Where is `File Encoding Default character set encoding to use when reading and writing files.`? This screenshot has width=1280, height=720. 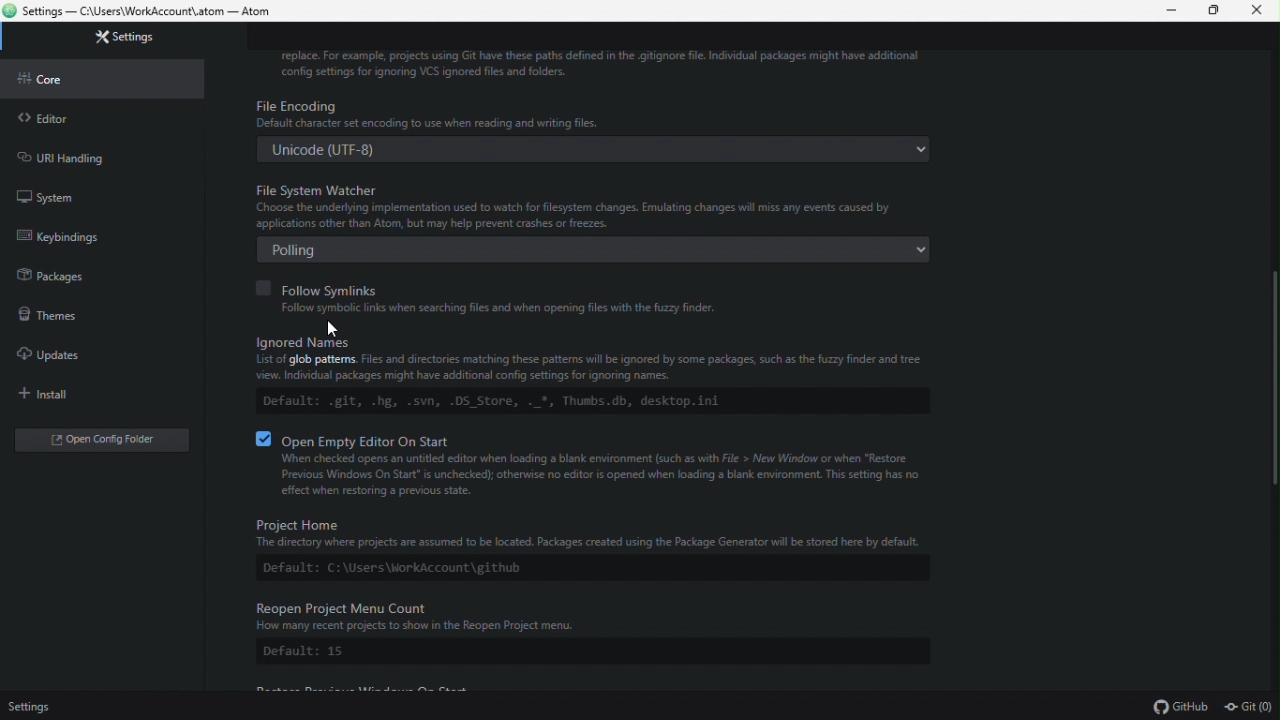 File Encoding Default character set encoding to use when reading and writing files. is located at coordinates (599, 111).